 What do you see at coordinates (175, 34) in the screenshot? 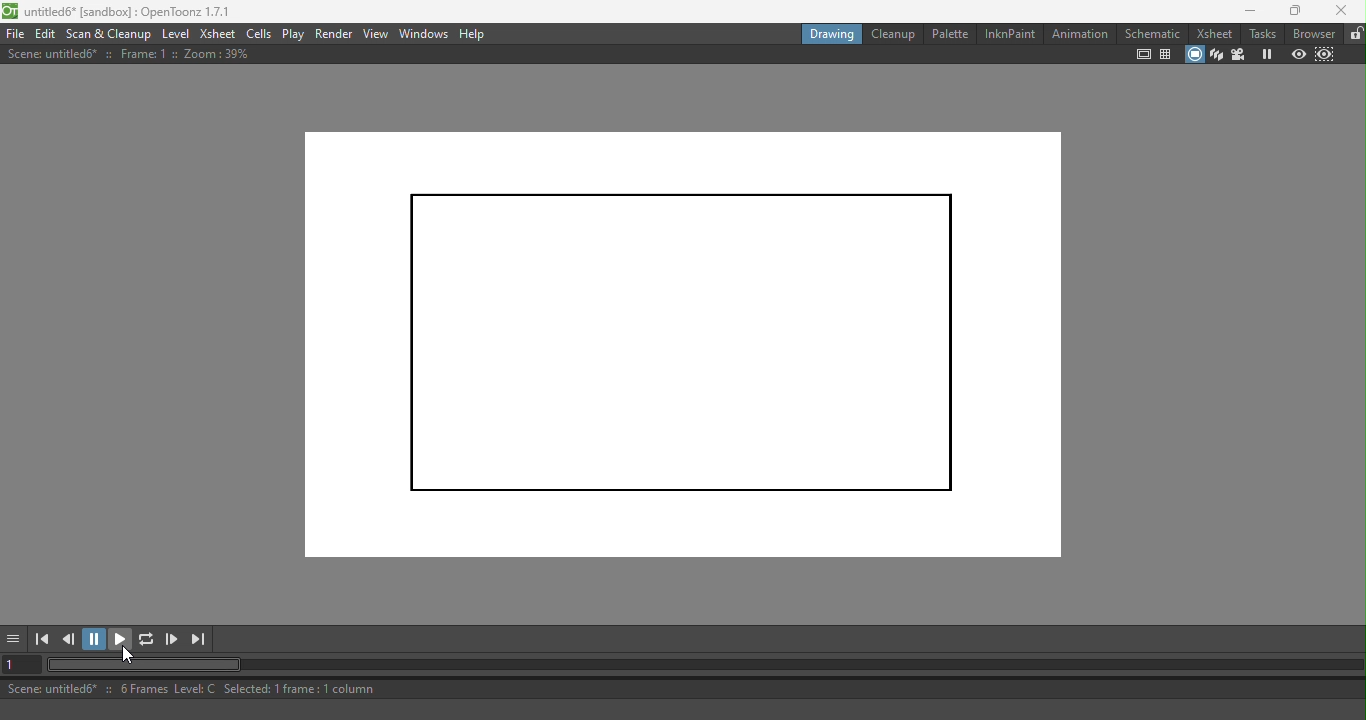
I see `Level` at bounding box center [175, 34].